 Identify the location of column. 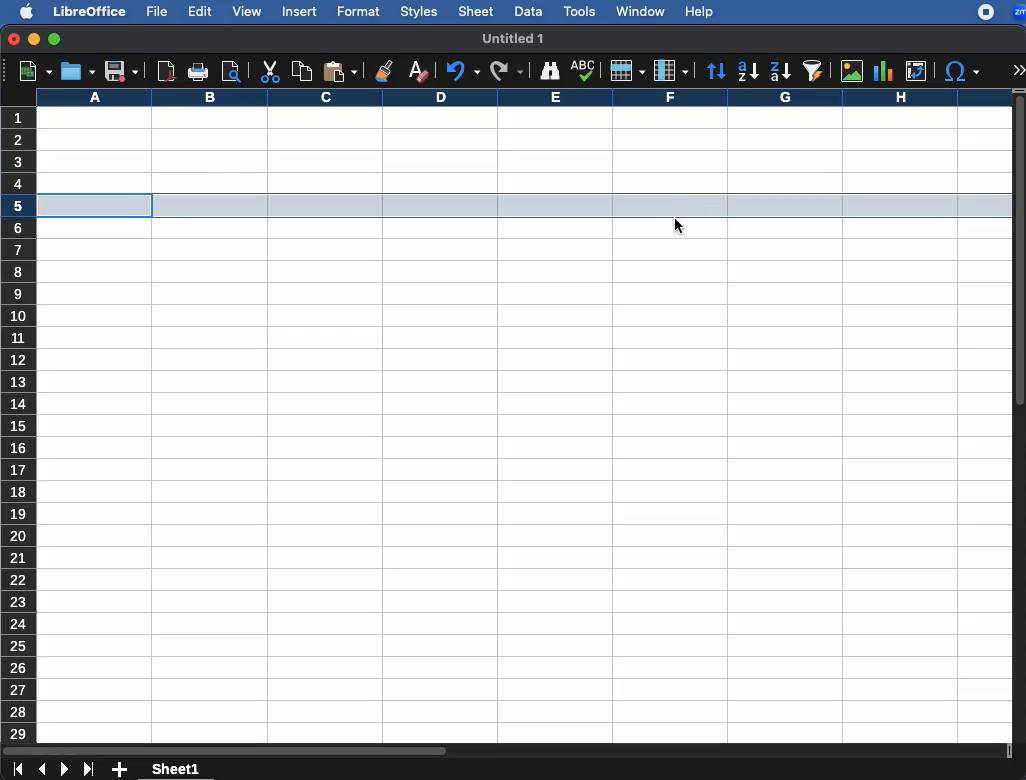
(519, 98).